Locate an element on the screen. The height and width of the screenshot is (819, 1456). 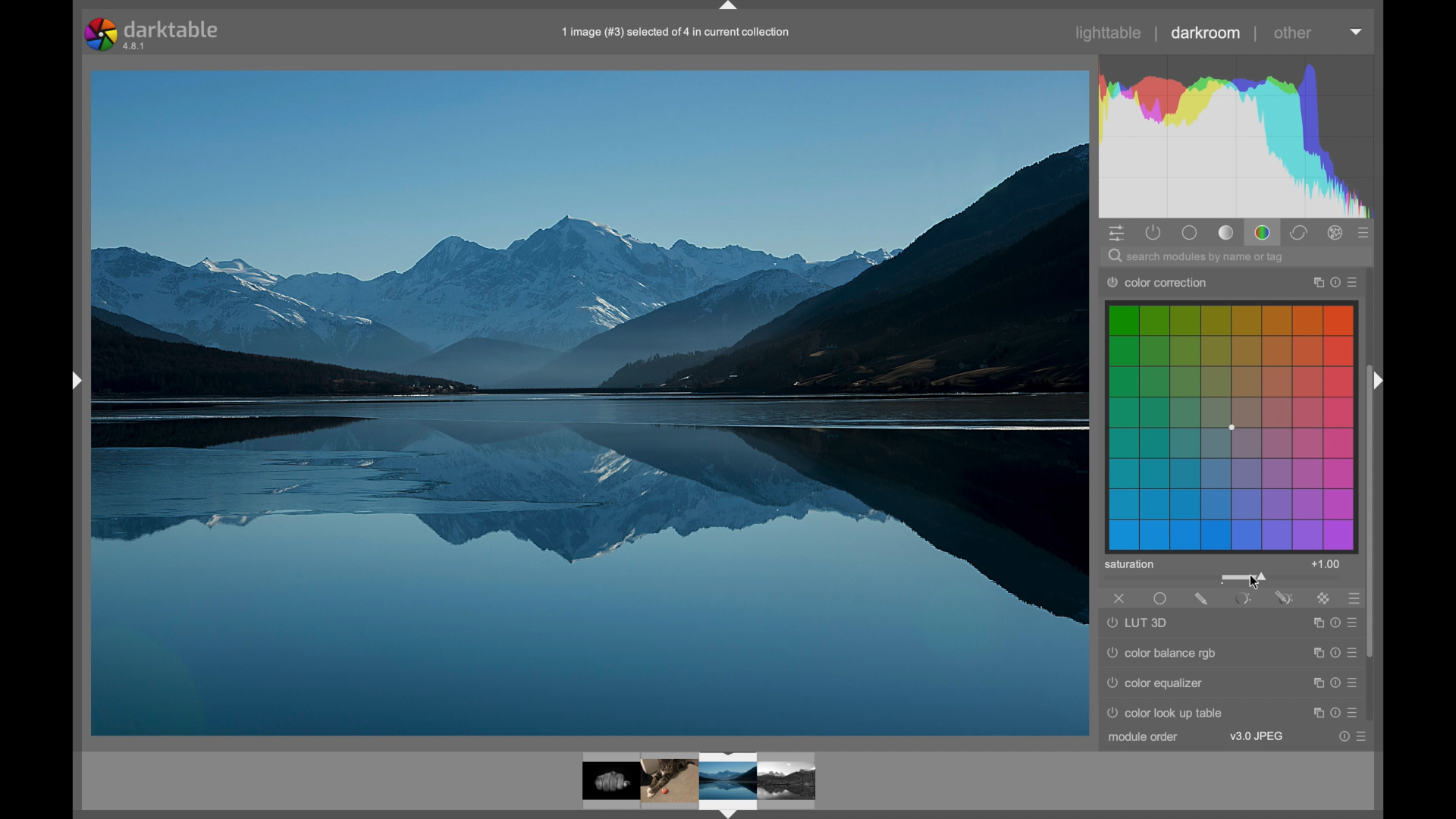
other is located at coordinates (1293, 34).